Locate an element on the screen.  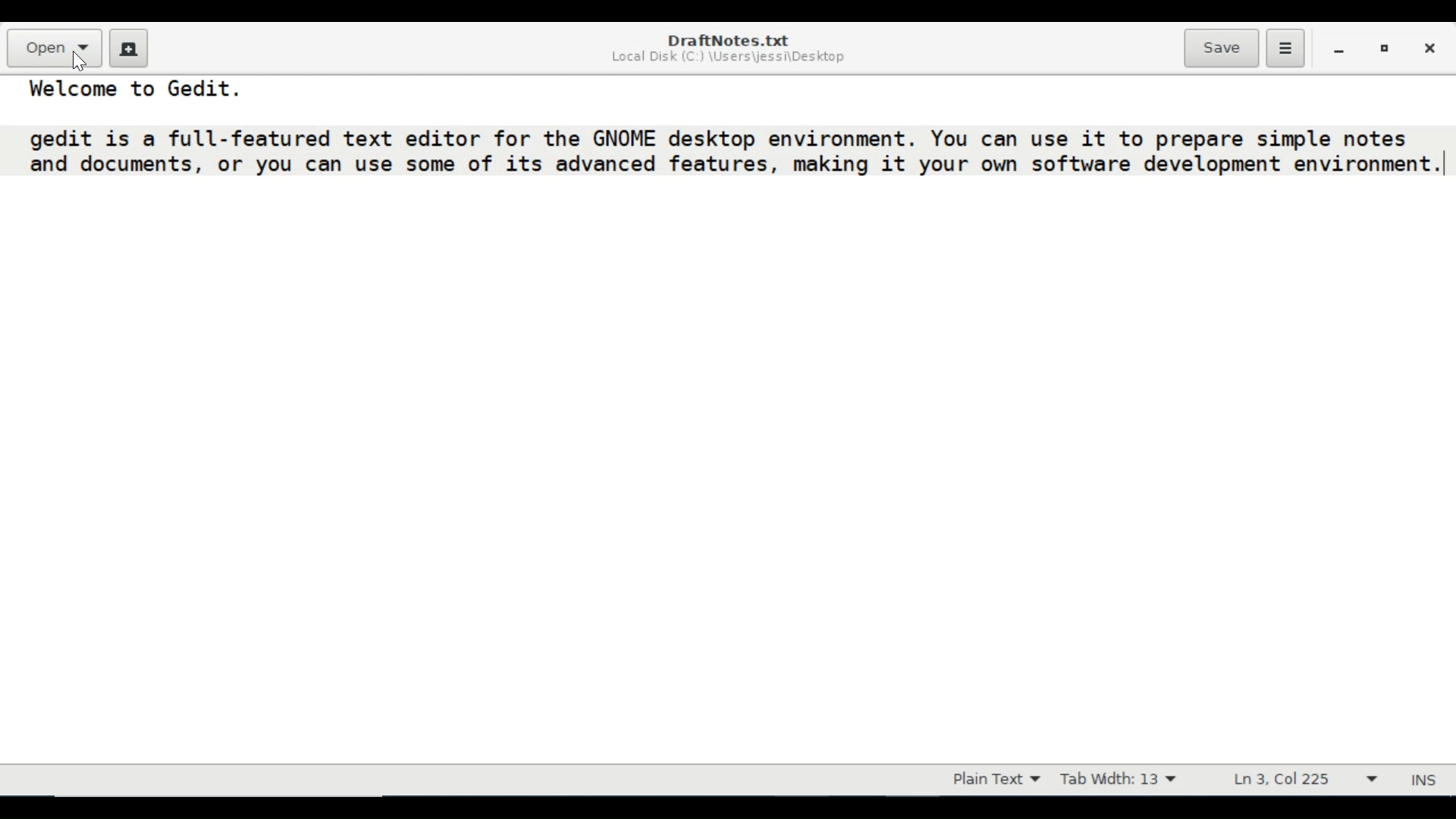
minimize is located at coordinates (1338, 48).